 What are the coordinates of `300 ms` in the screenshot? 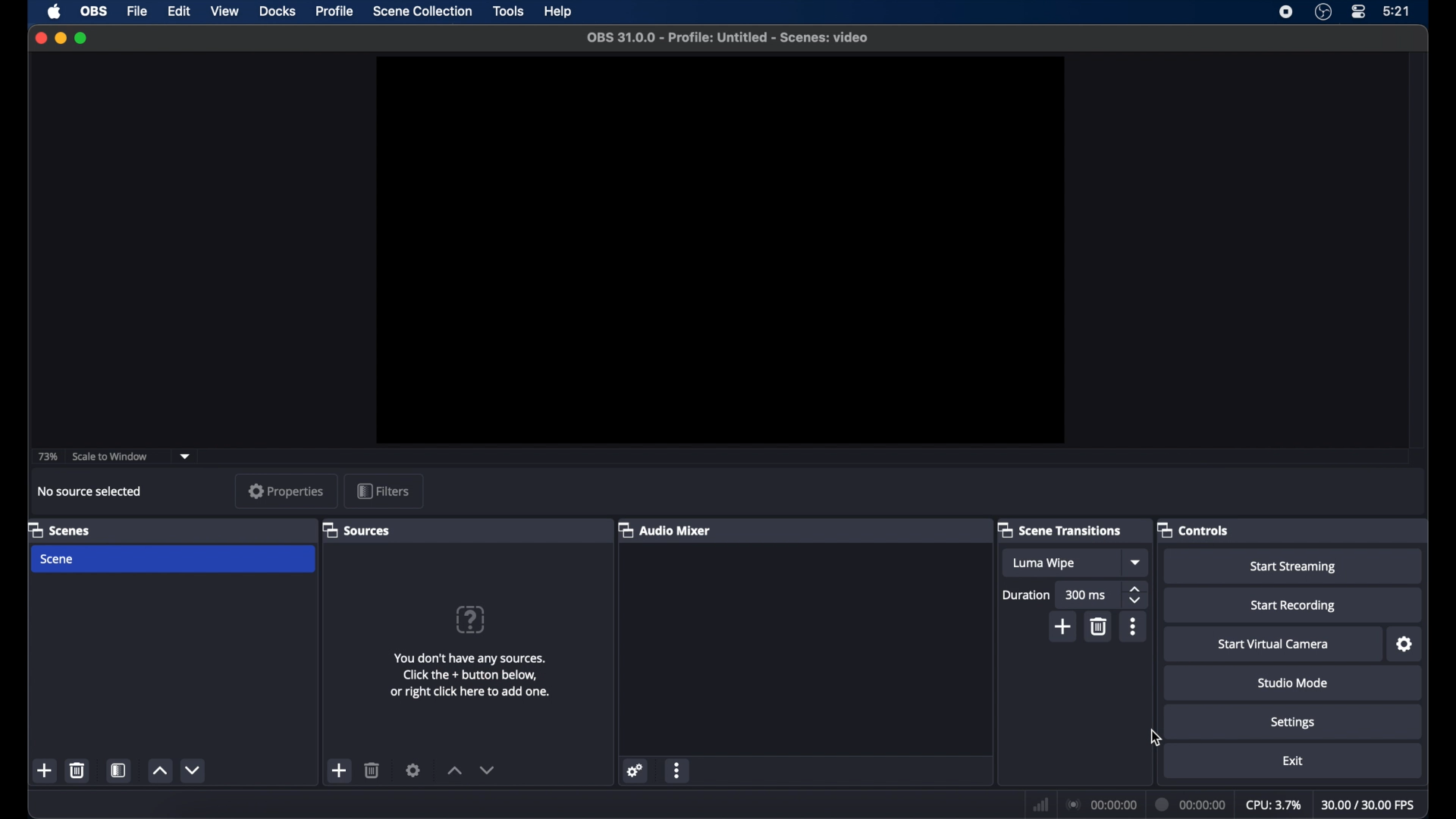 It's located at (1086, 595).